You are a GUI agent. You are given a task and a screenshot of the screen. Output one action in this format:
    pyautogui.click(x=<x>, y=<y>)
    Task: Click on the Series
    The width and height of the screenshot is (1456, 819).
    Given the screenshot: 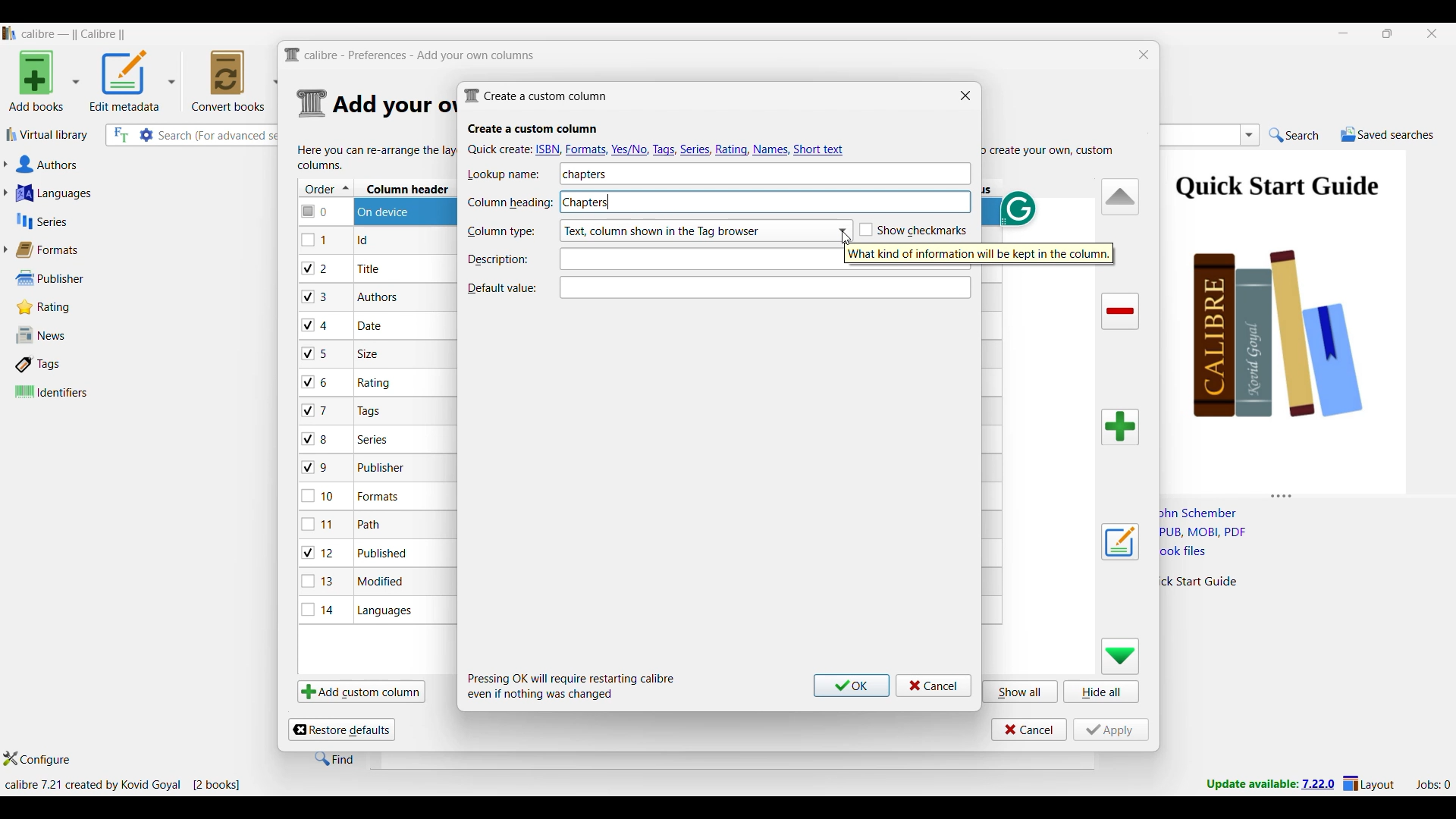 What is the action you would take?
    pyautogui.click(x=114, y=221)
    